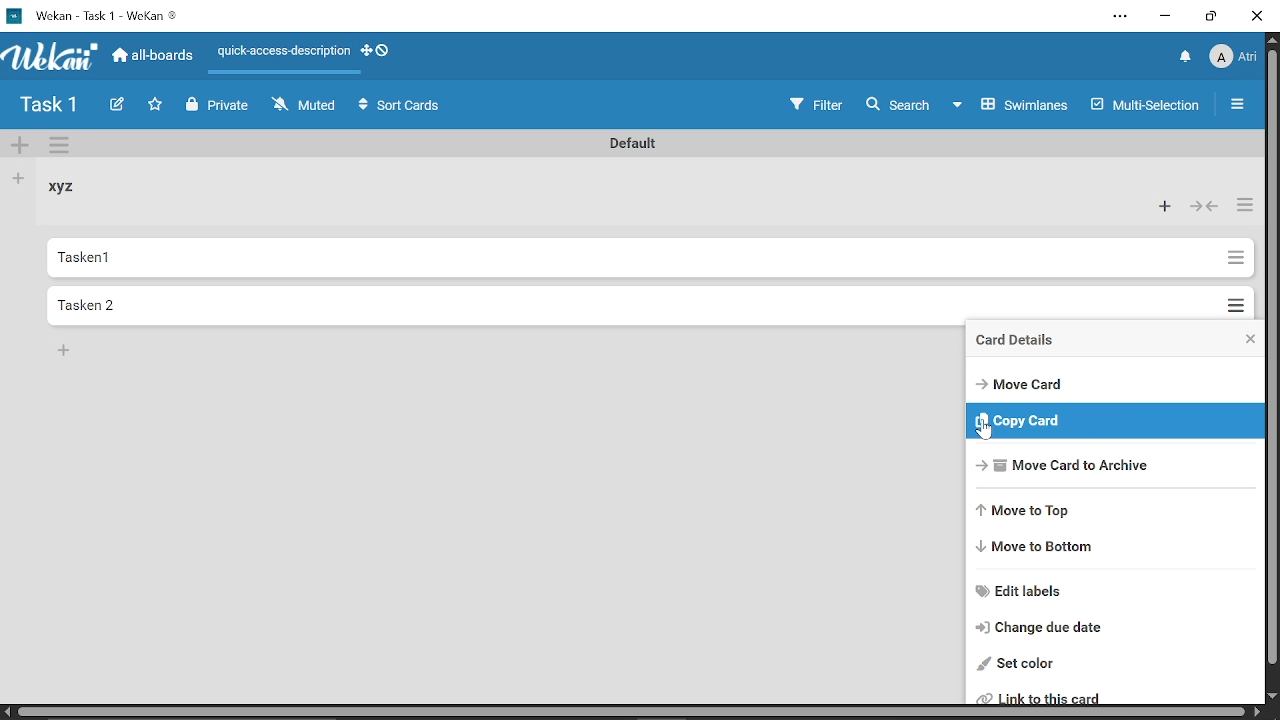 The height and width of the screenshot is (720, 1280). I want to click on Add card to the top, so click(1166, 206).